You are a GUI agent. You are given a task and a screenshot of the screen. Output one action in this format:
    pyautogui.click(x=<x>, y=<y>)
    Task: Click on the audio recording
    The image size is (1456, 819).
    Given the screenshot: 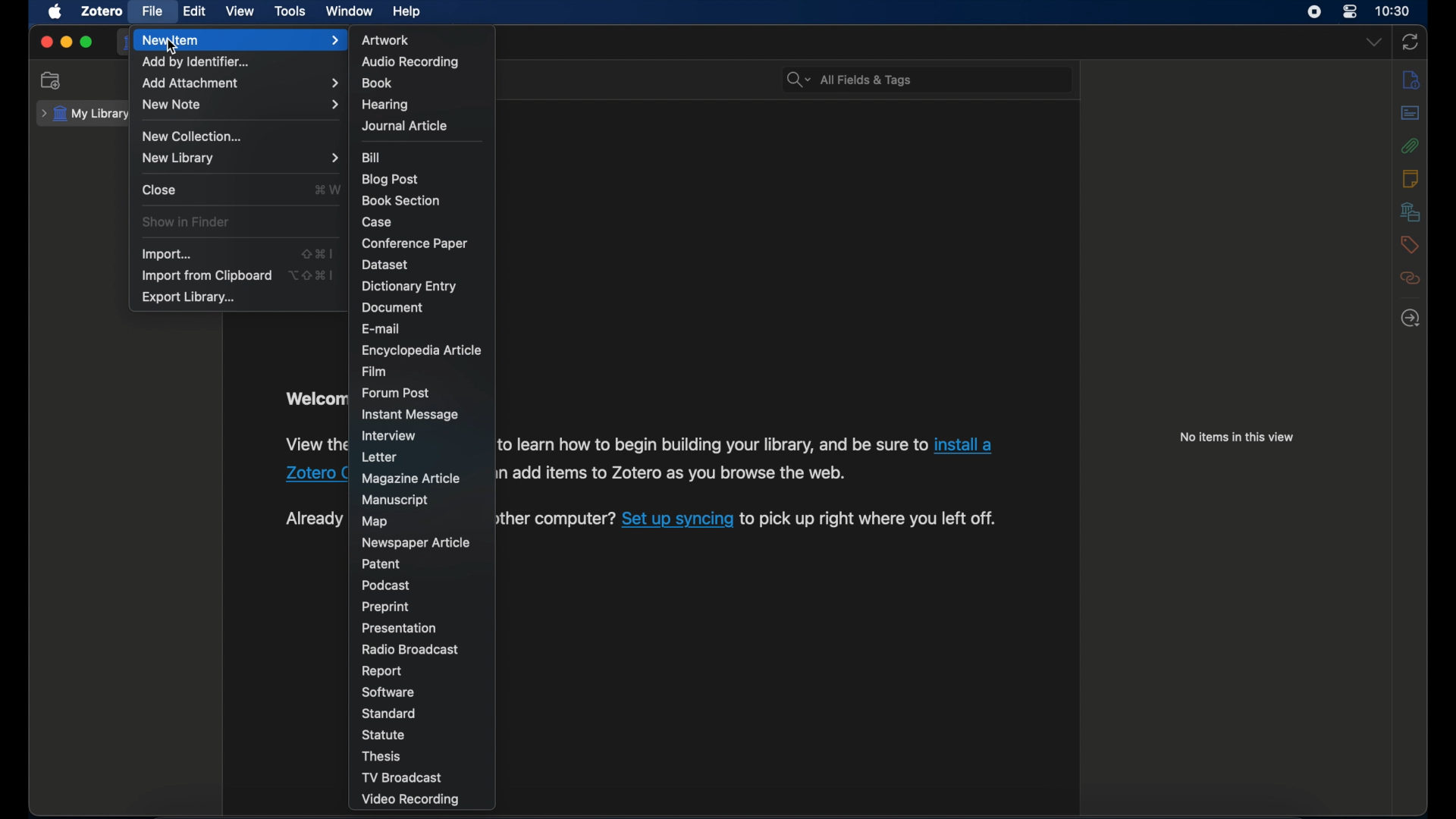 What is the action you would take?
    pyautogui.click(x=409, y=62)
    